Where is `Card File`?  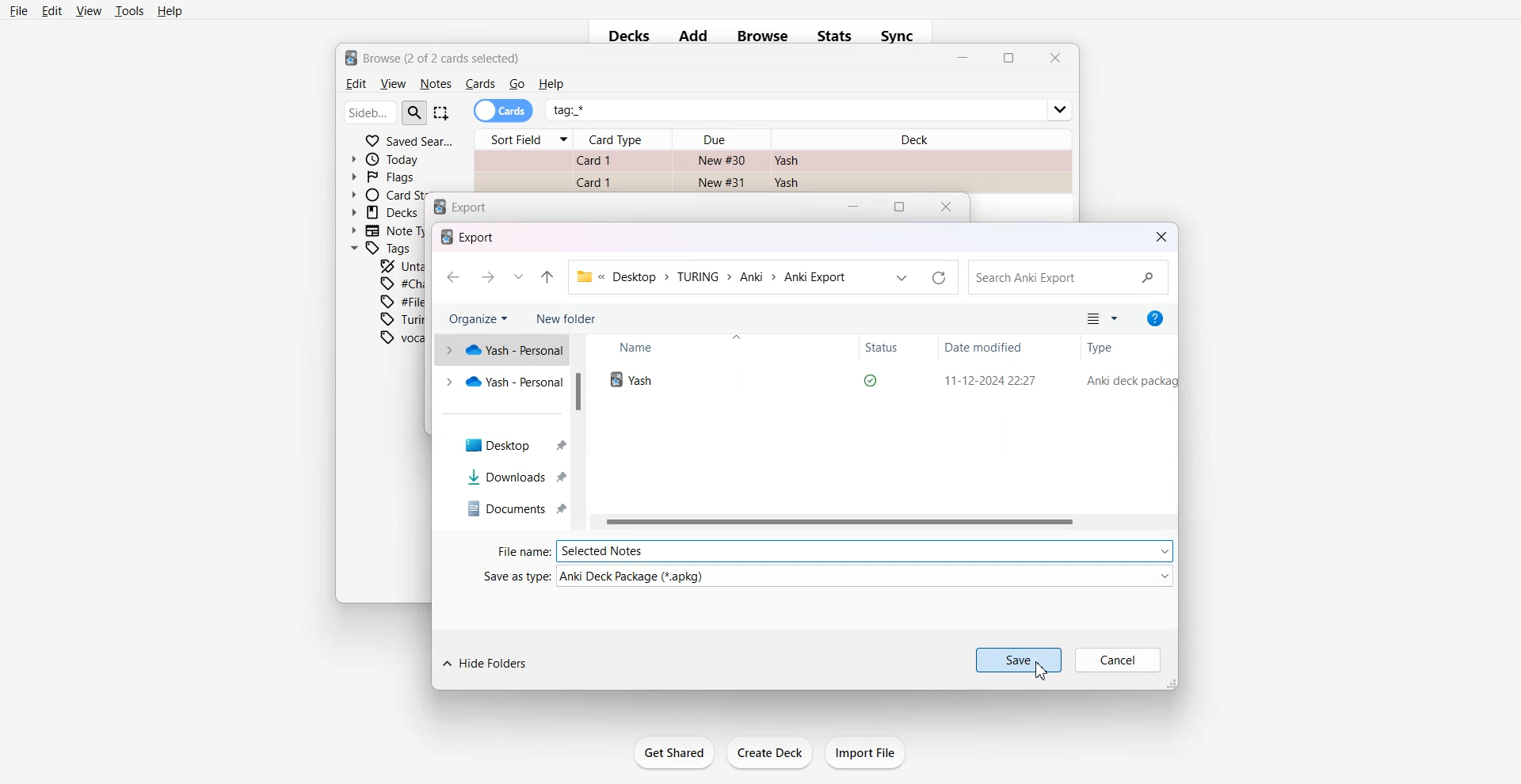
Card File is located at coordinates (772, 169).